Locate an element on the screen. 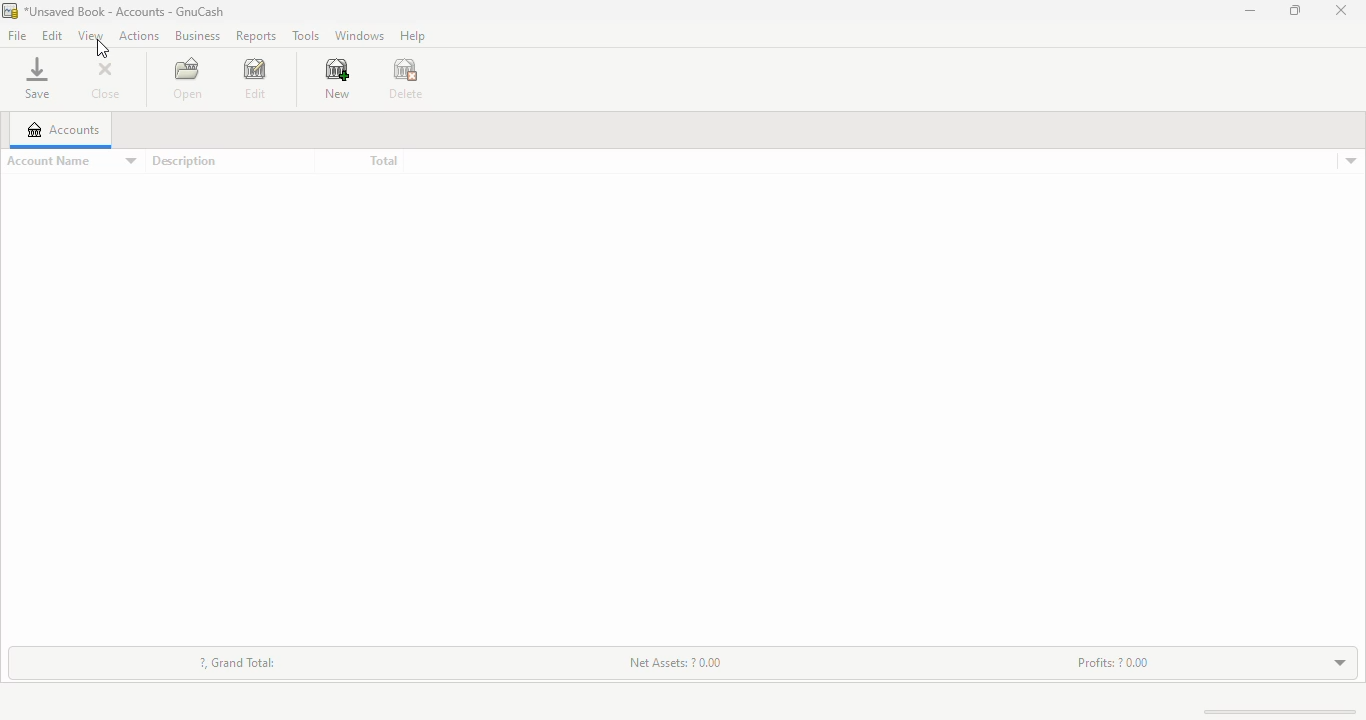 The height and width of the screenshot is (720, 1366). edit is located at coordinates (254, 80).